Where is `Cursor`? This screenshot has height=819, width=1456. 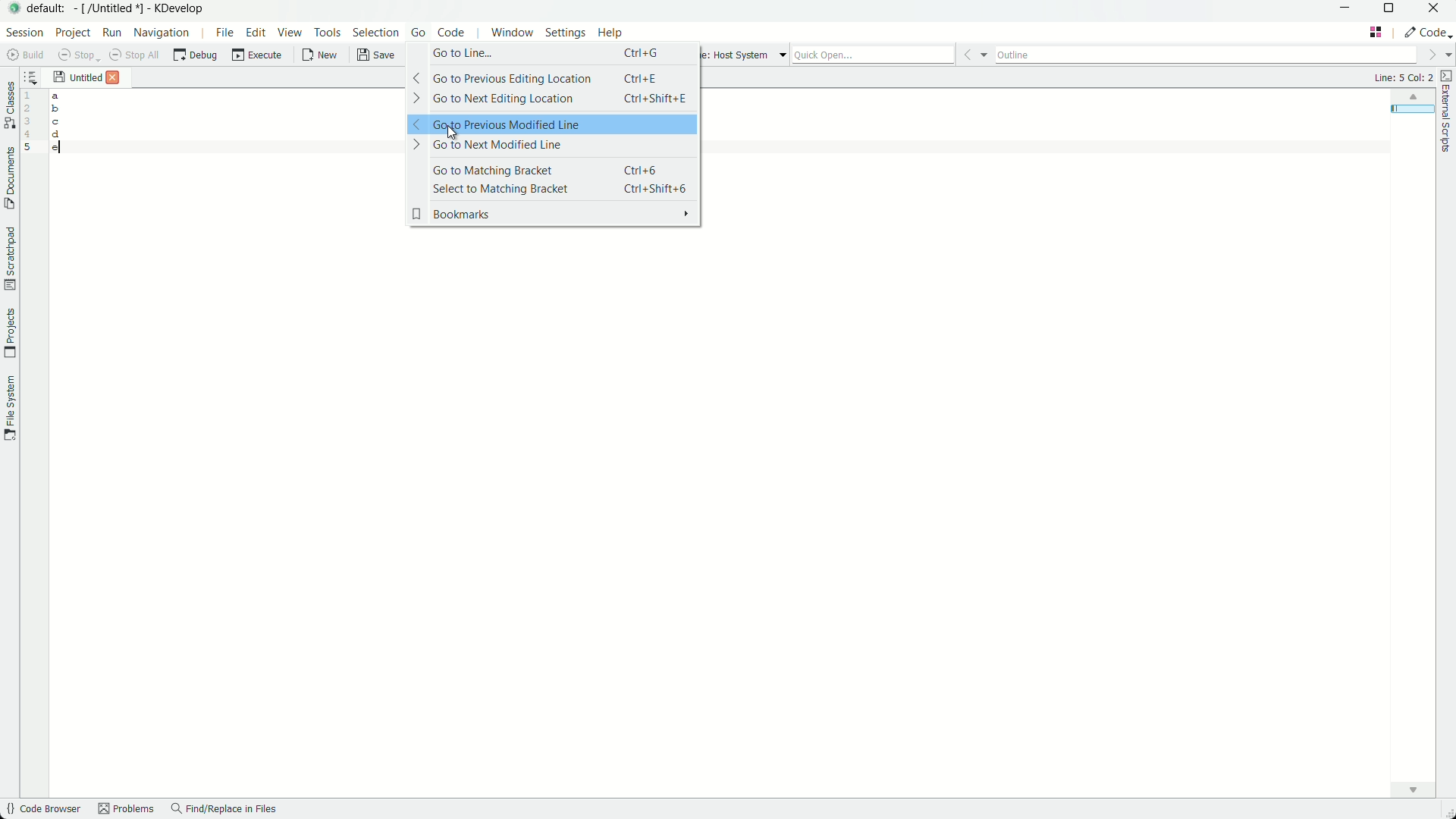 Cursor is located at coordinates (451, 130).